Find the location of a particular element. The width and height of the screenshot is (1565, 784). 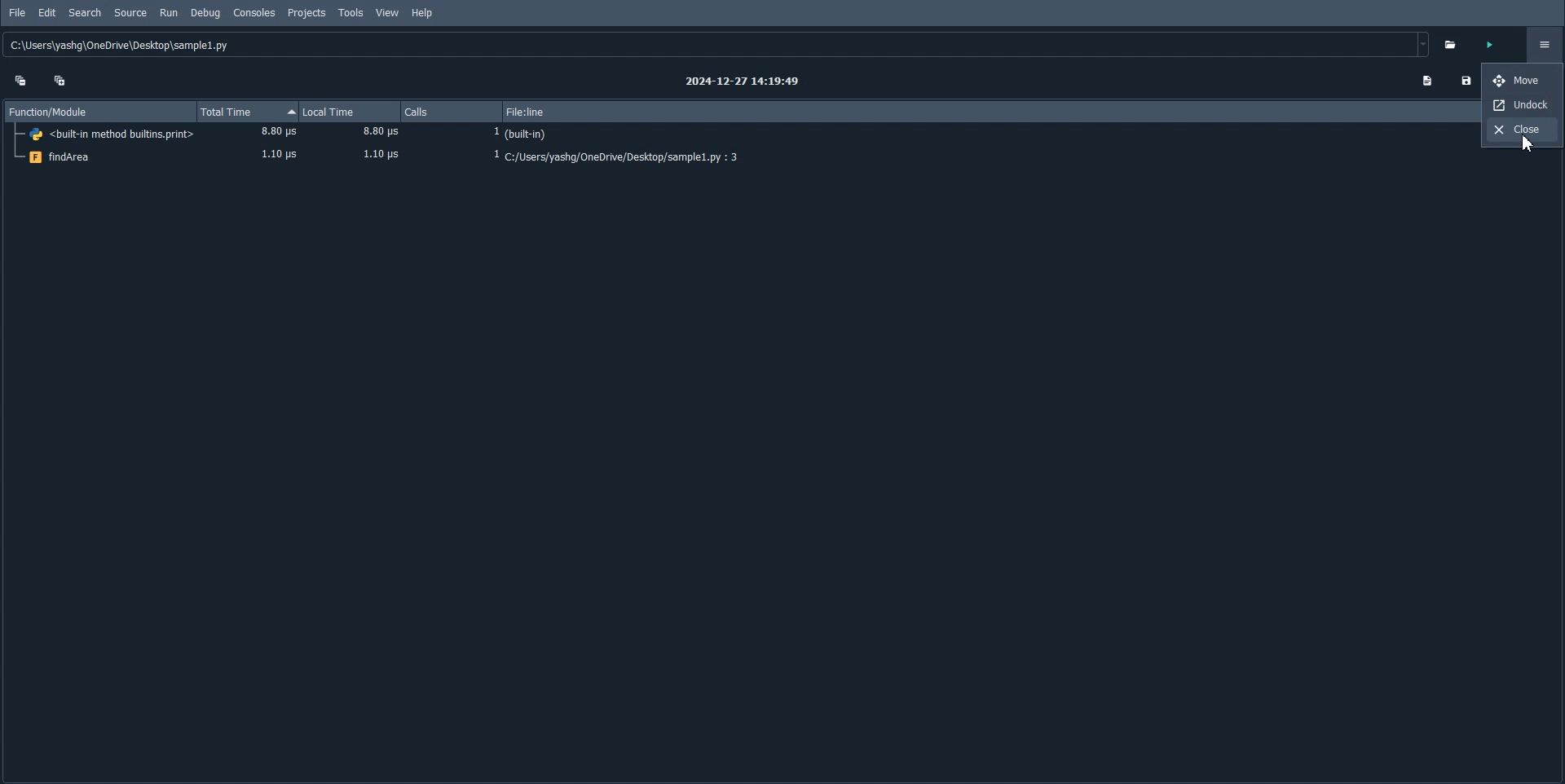

File path address is located at coordinates (719, 45).